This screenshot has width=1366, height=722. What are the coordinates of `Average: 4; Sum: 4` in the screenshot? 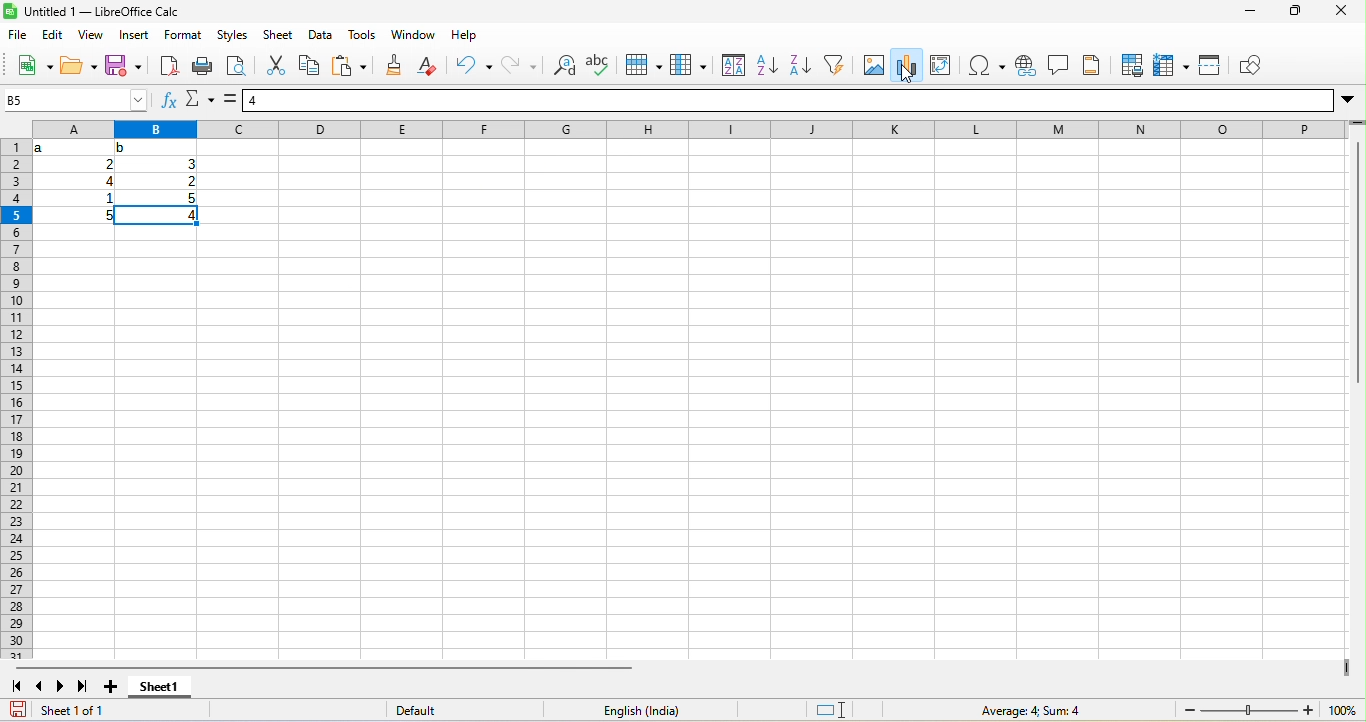 It's located at (1029, 710).